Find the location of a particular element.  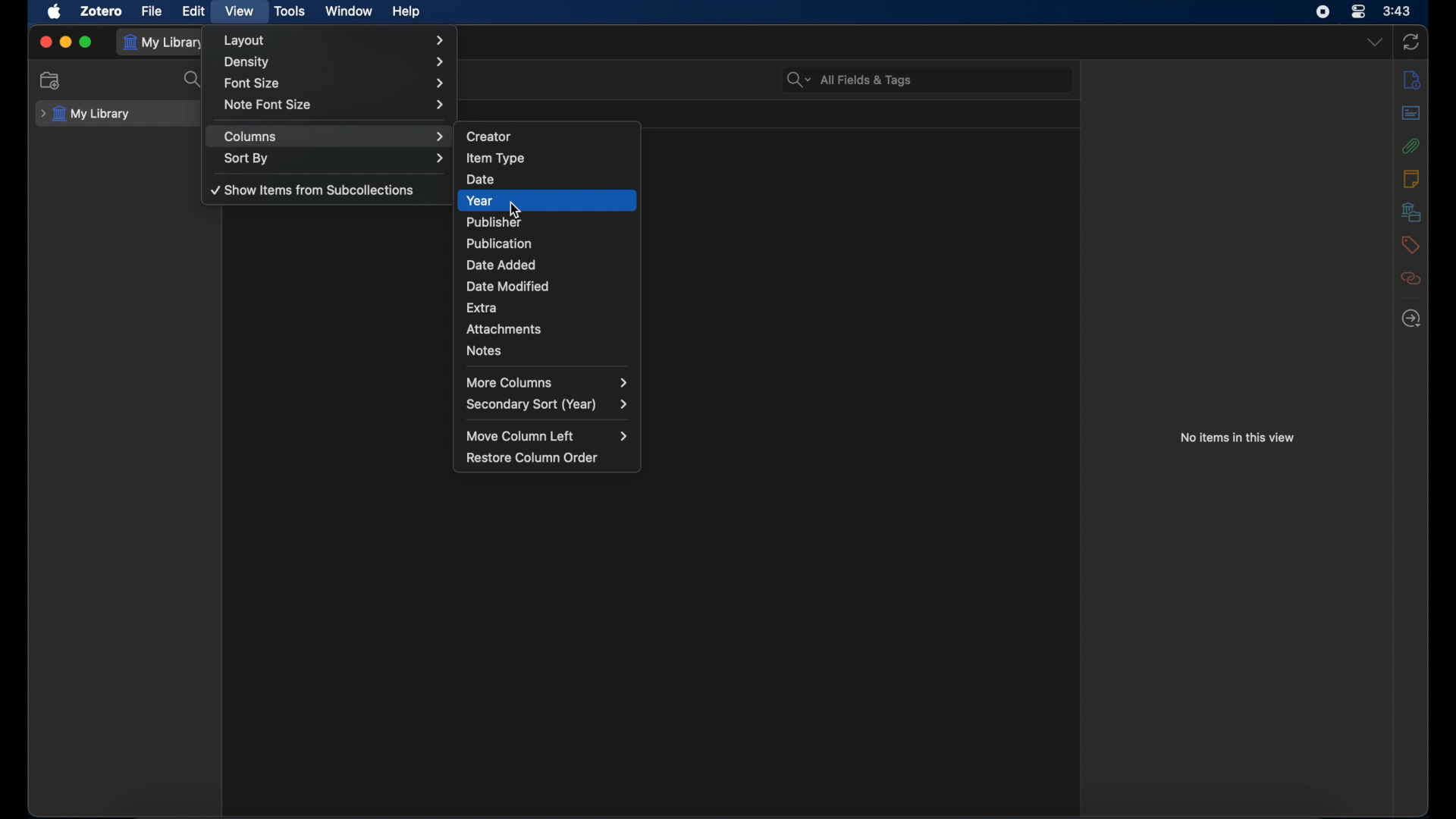

tags is located at coordinates (1410, 245).